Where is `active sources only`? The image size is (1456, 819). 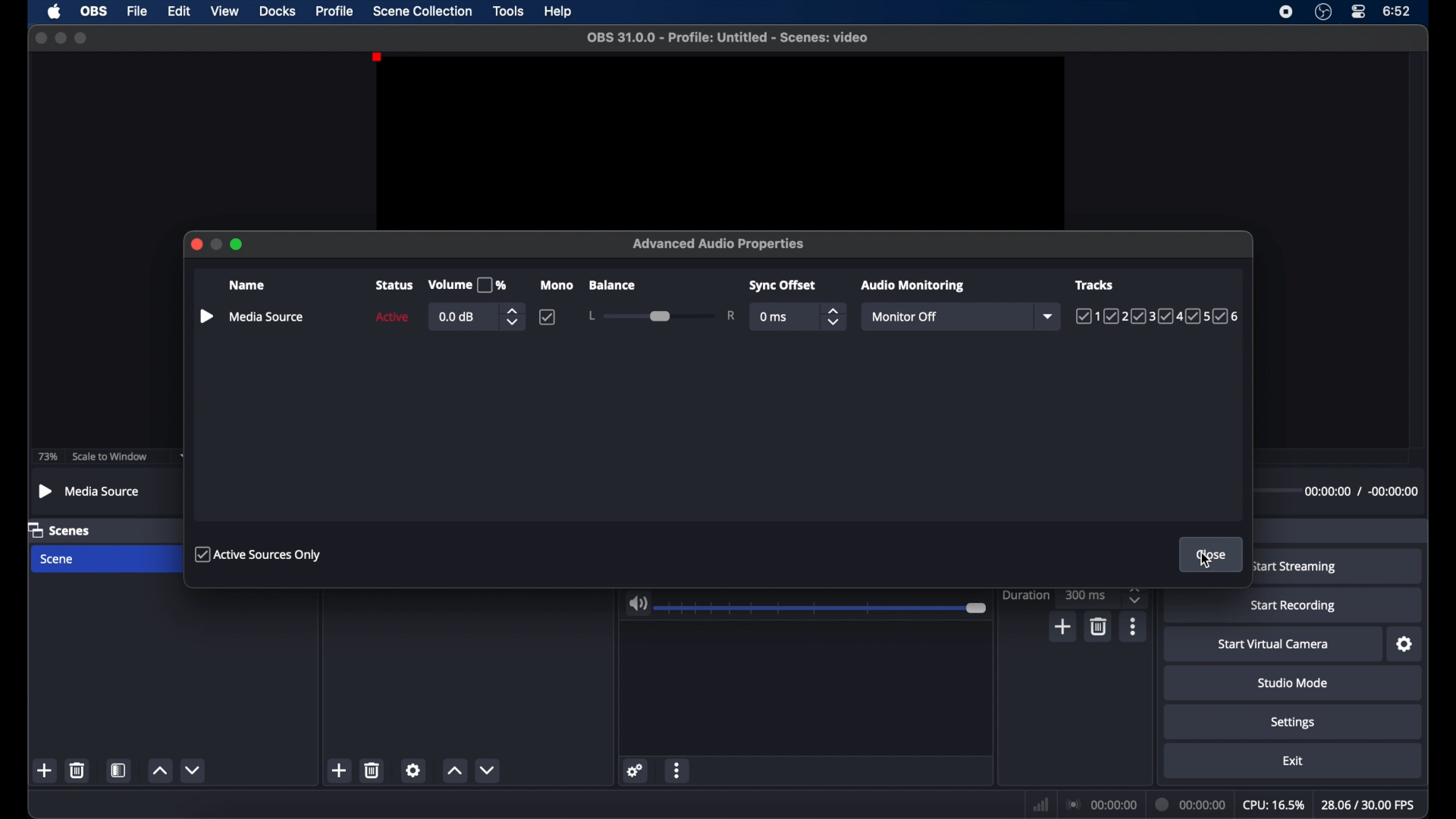
active sources only is located at coordinates (260, 555).